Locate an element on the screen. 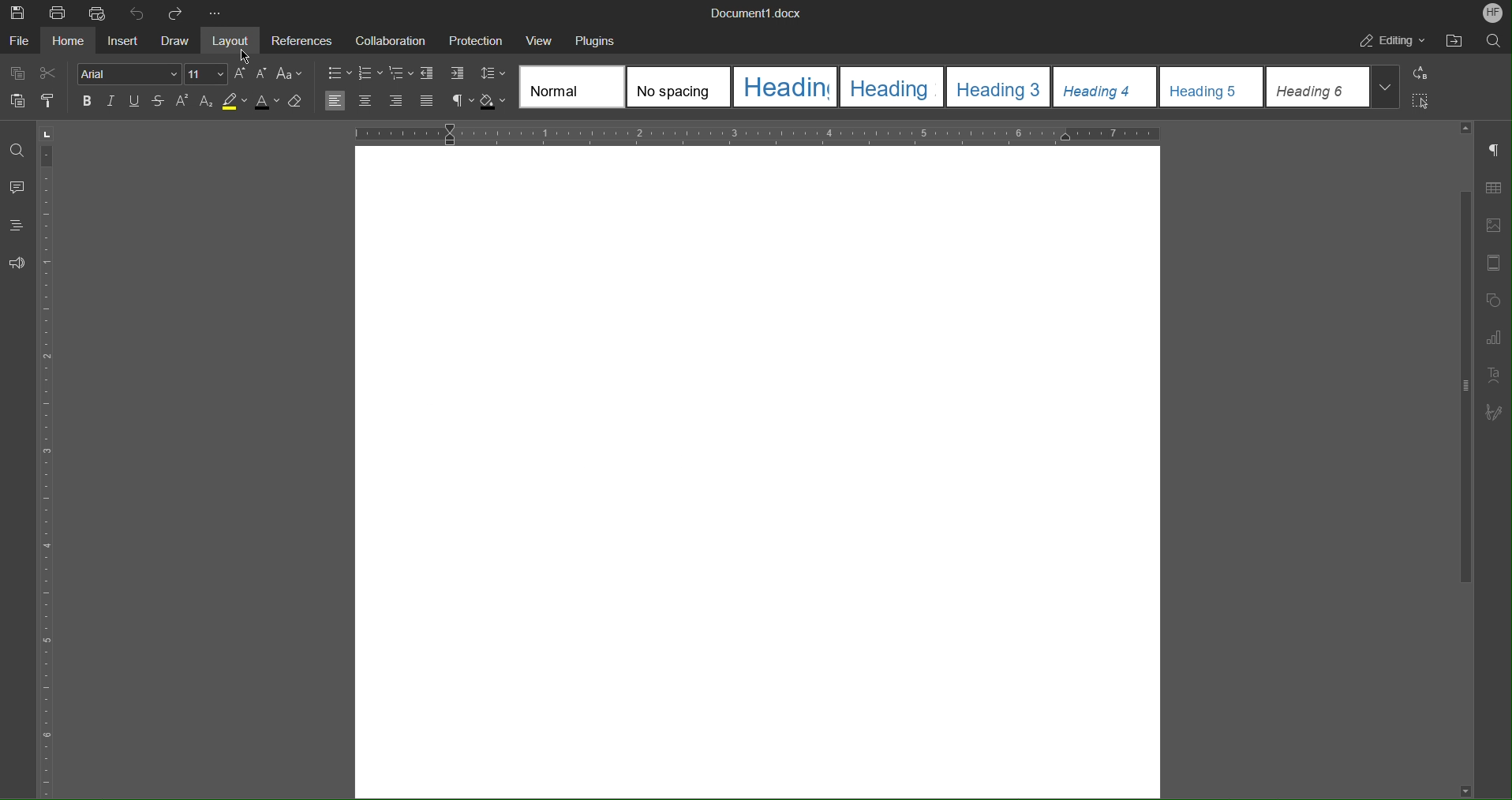 This screenshot has height=800, width=1512. Right Align is located at coordinates (396, 101).